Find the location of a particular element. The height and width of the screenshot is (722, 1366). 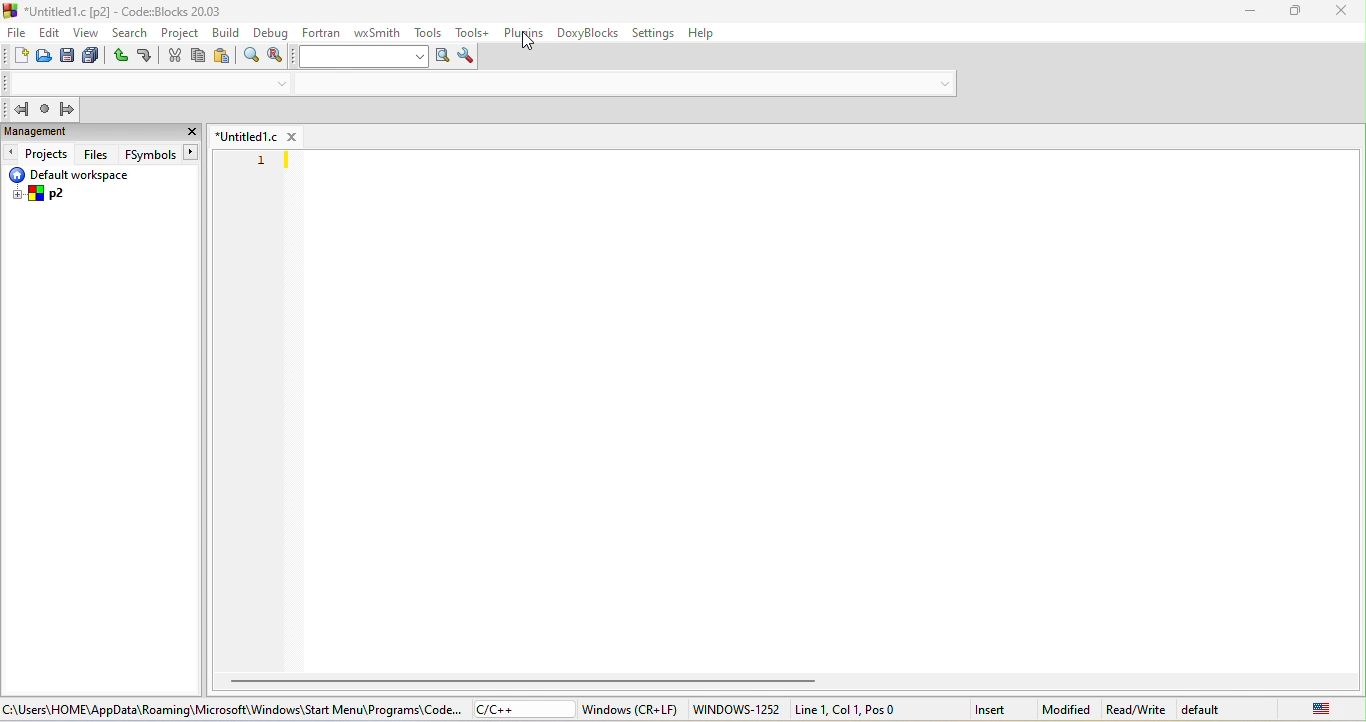

files is located at coordinates (96, 154).